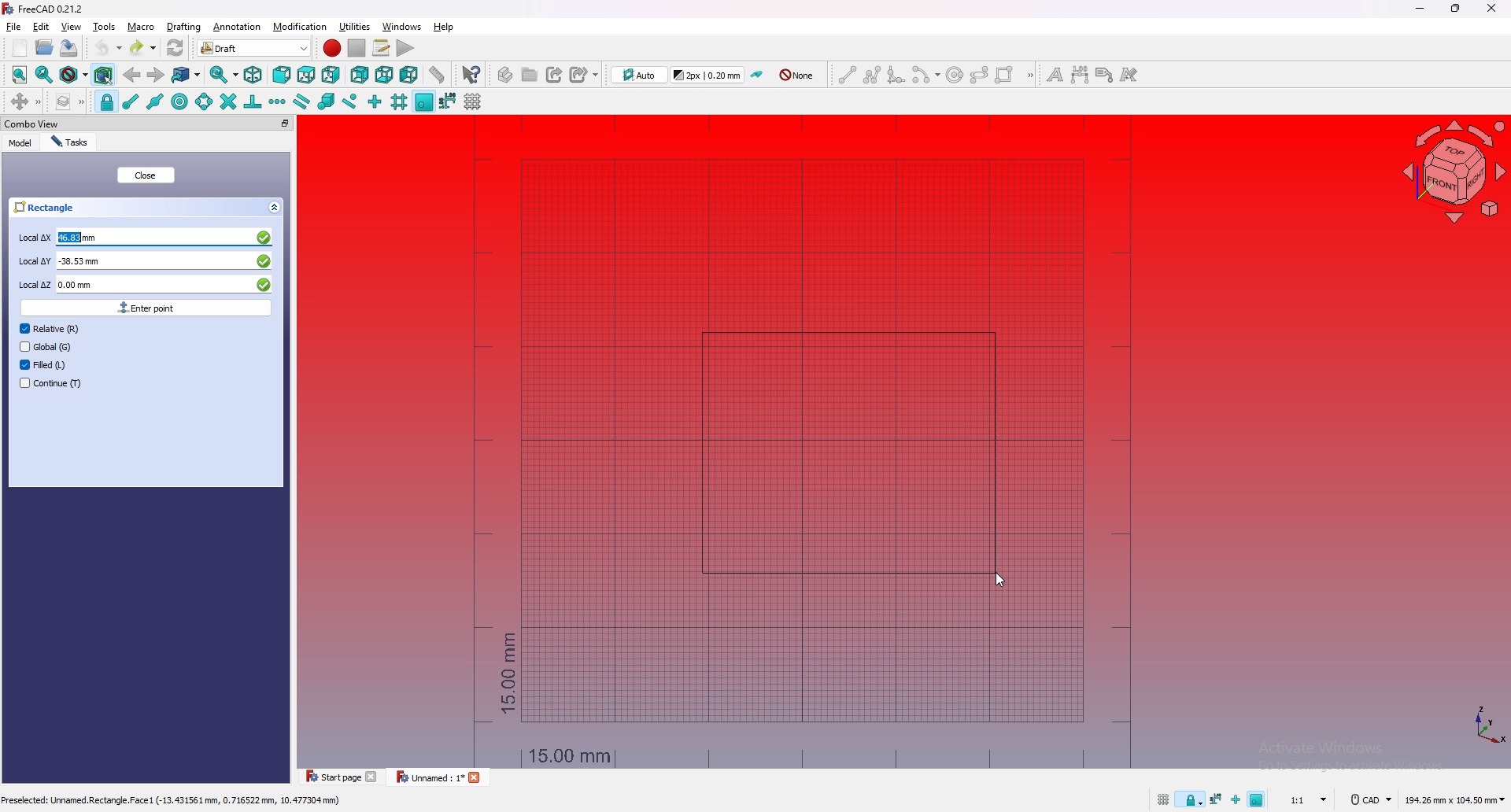  I want to click on edit, so click(42, 27).